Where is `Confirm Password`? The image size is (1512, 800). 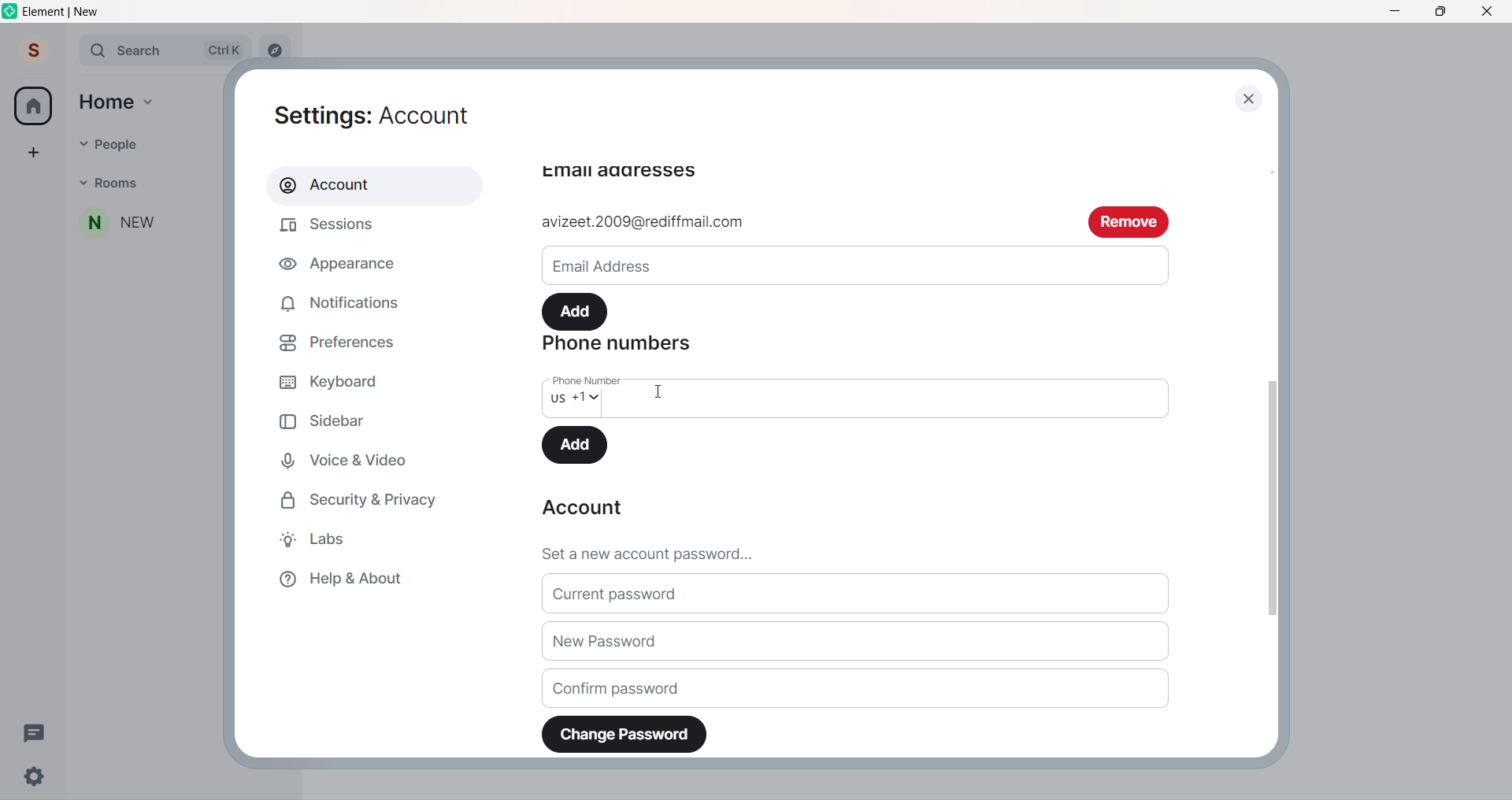
Confirm Password is located at coordinates (857, 687).